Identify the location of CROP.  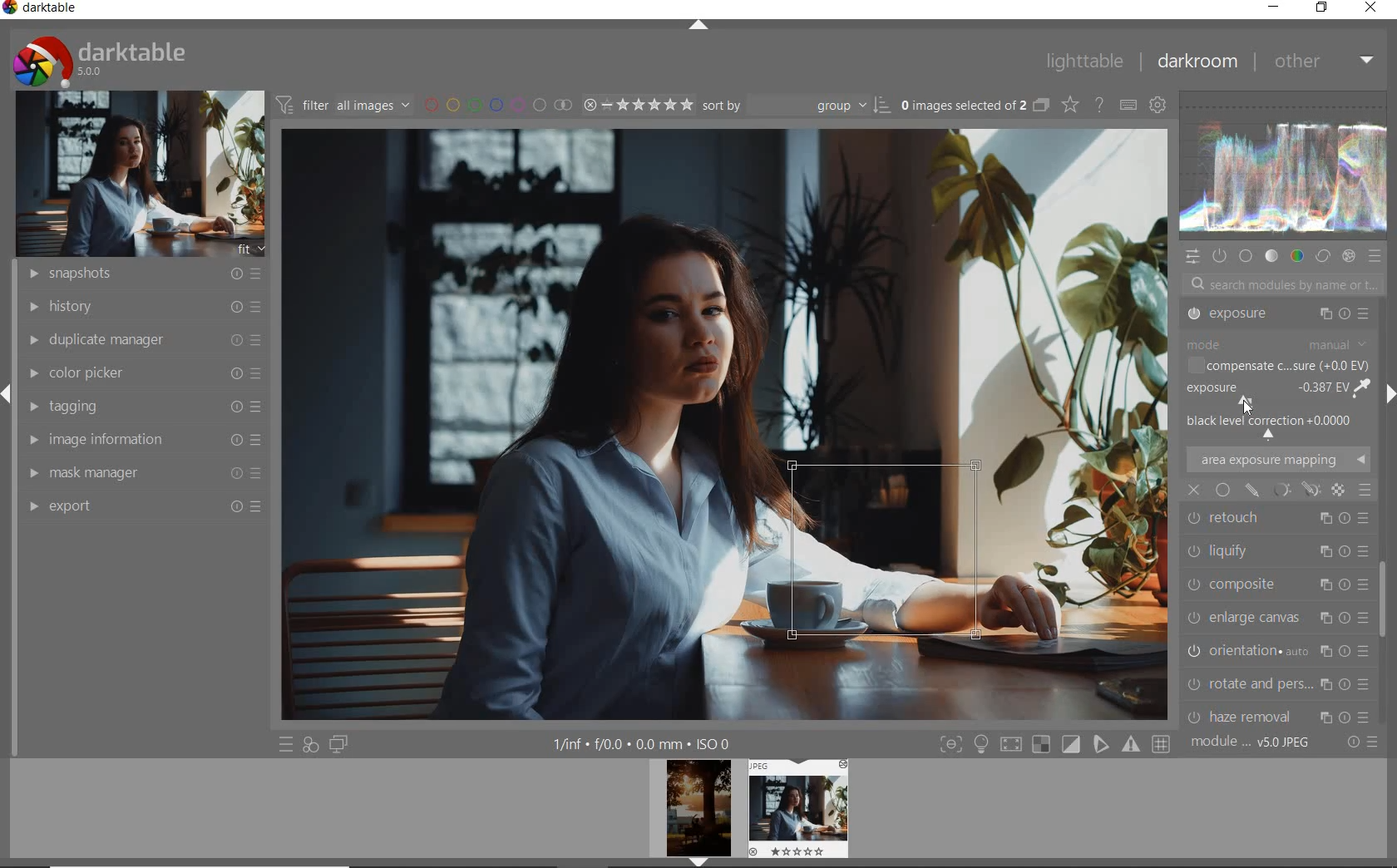
(1277, 317).